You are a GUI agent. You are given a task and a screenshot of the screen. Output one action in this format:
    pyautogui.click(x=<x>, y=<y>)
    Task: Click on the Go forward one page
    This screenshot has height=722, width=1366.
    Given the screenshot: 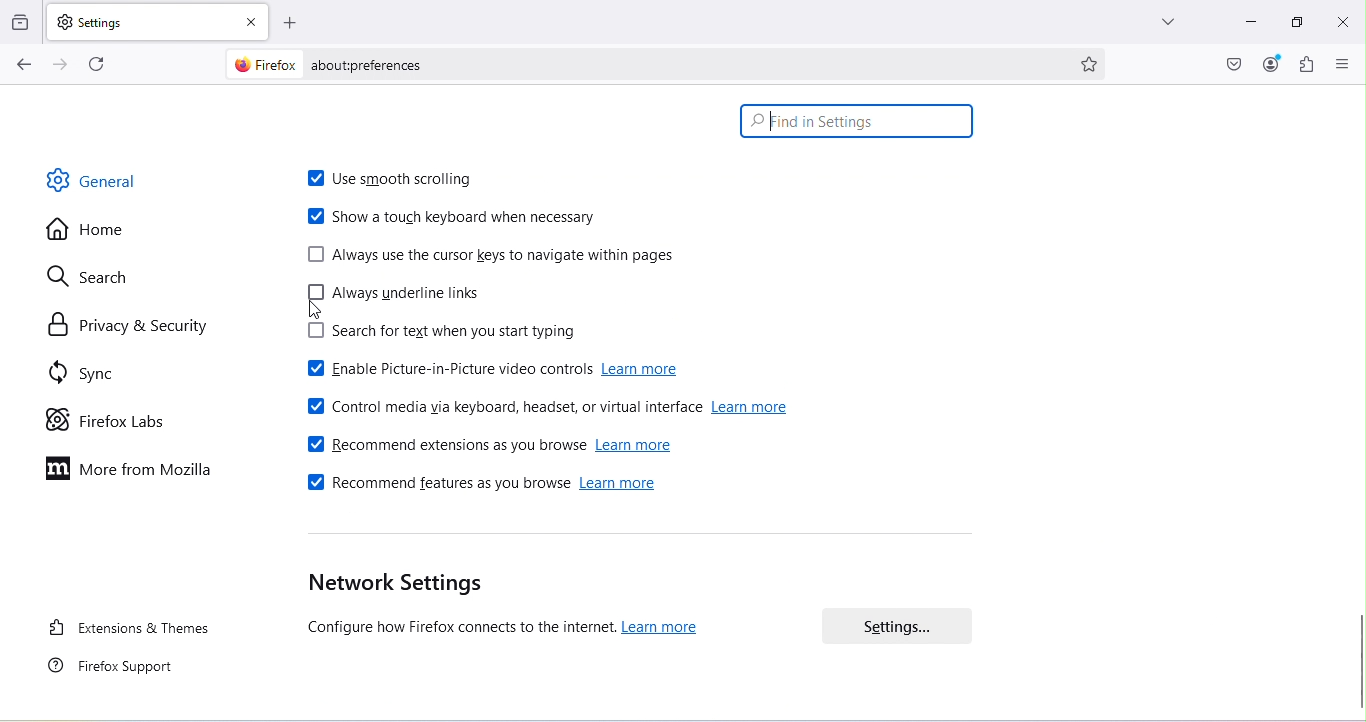 What is the action you would take?
    pyautogui.click(x=64, y=67)
    